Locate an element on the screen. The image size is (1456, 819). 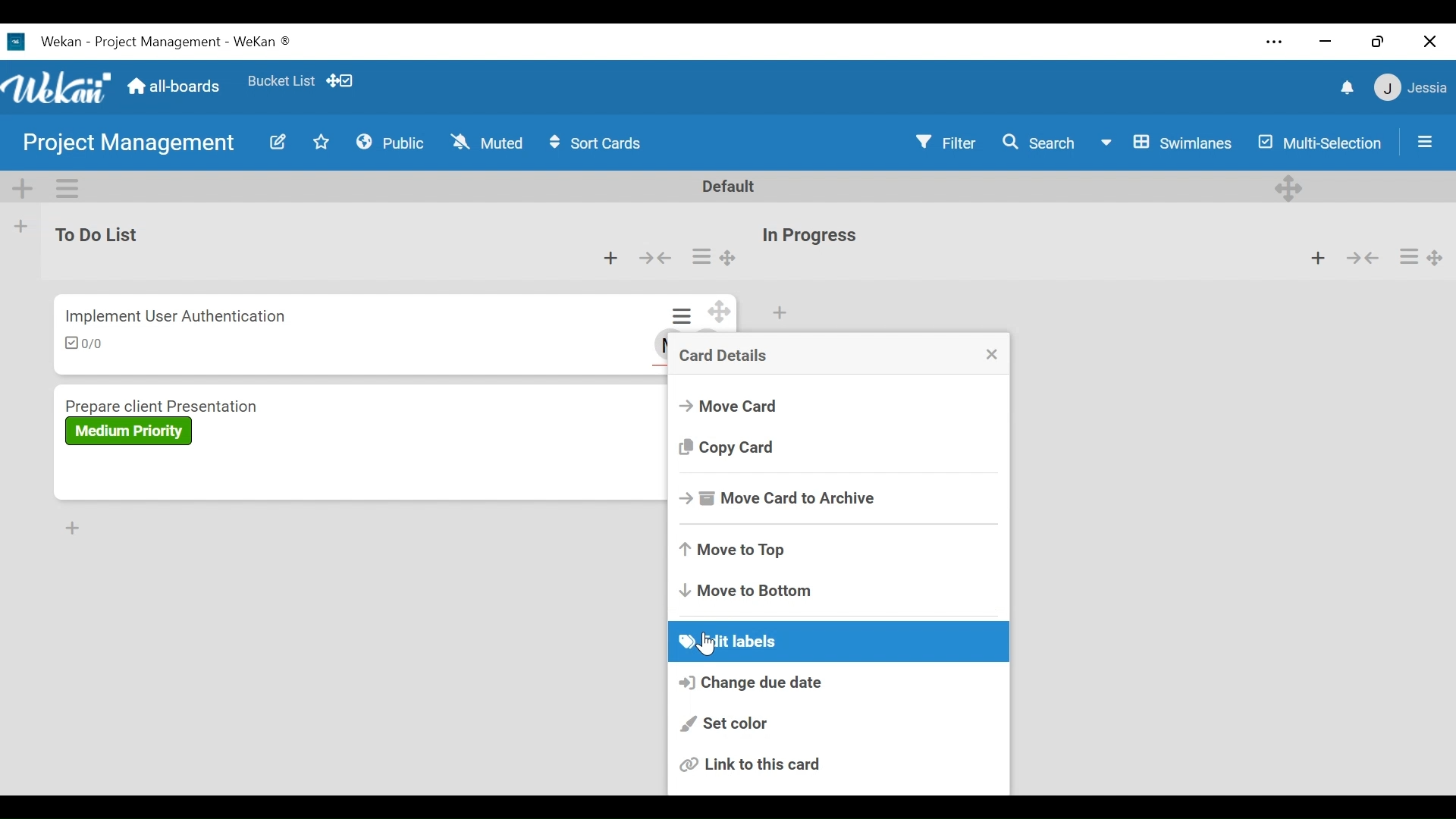
Add card to top of the list is located at coordinates (611, 259).